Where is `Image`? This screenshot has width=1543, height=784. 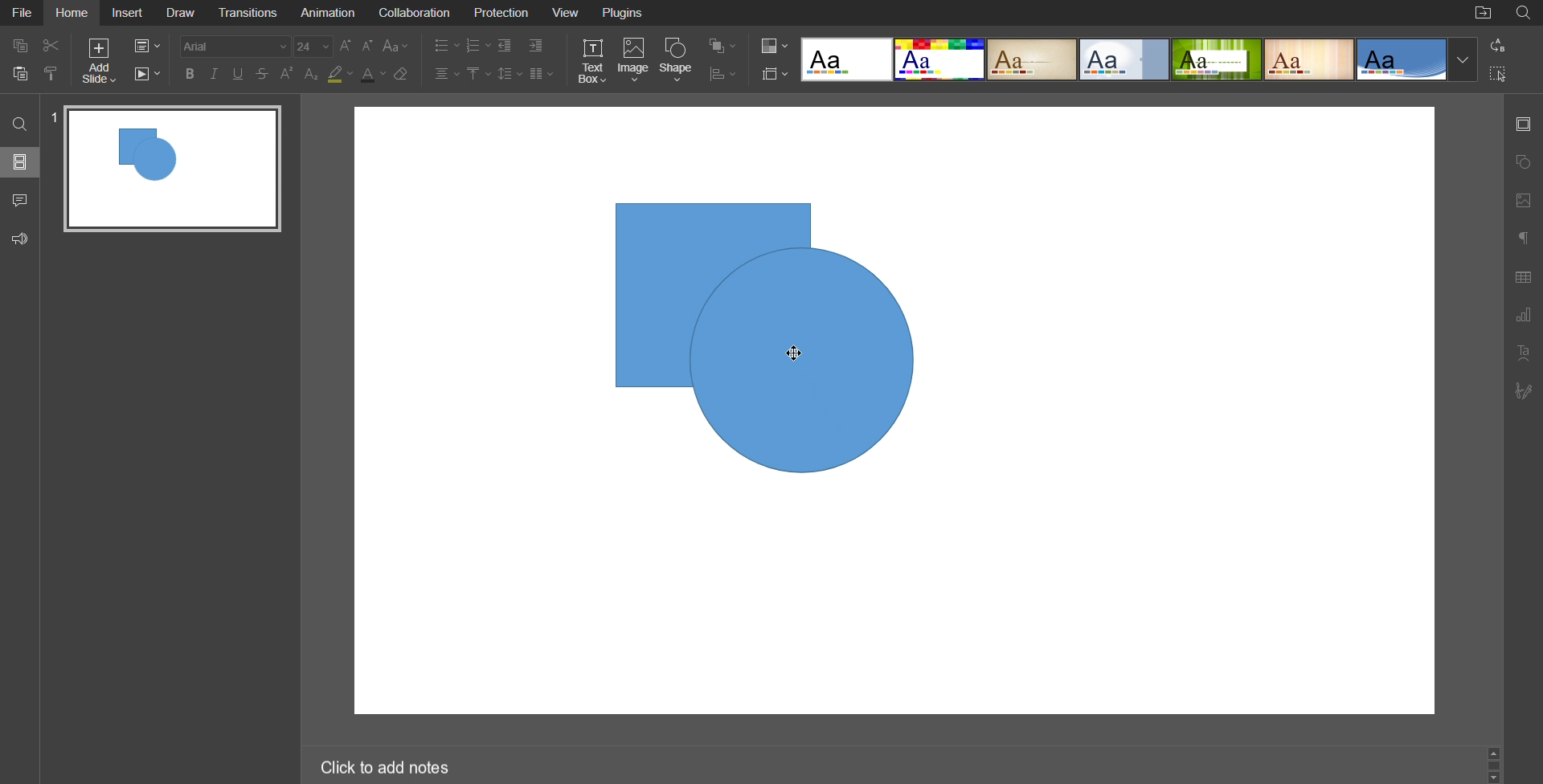
Image is located at coordinates (633, 62).